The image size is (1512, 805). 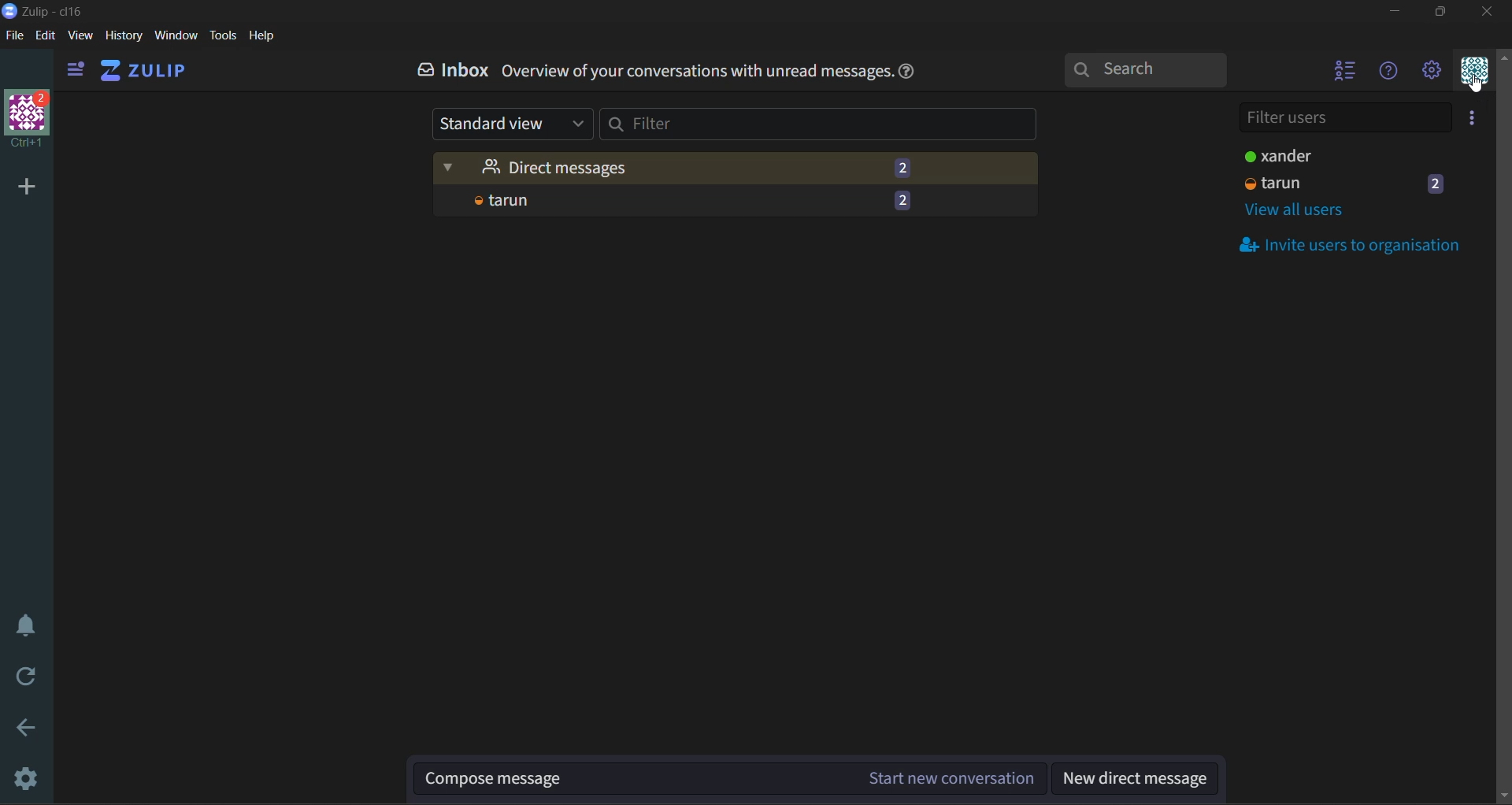 I want to click on settings menu, so click(x=1435, y=72).